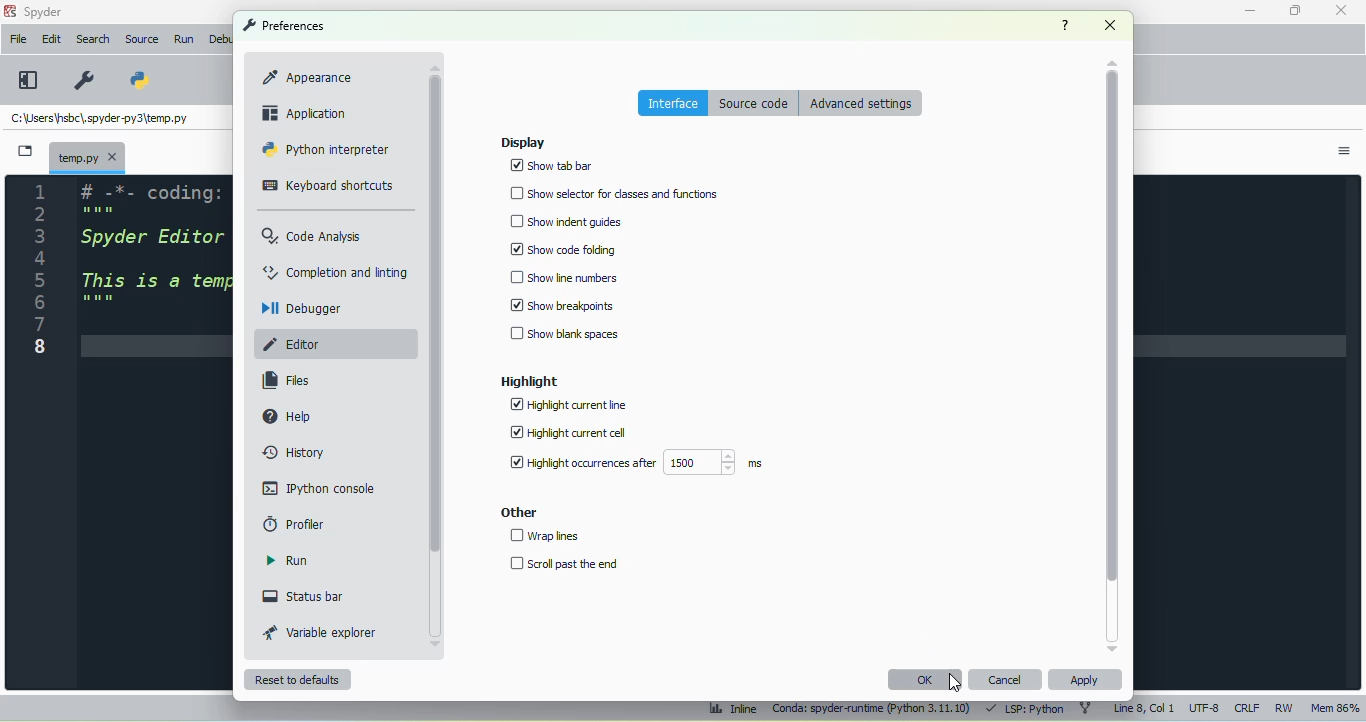  What do you see at coordinates (732, 709) in the screenshot?
I see `inline` at bounding box center [732, 709].